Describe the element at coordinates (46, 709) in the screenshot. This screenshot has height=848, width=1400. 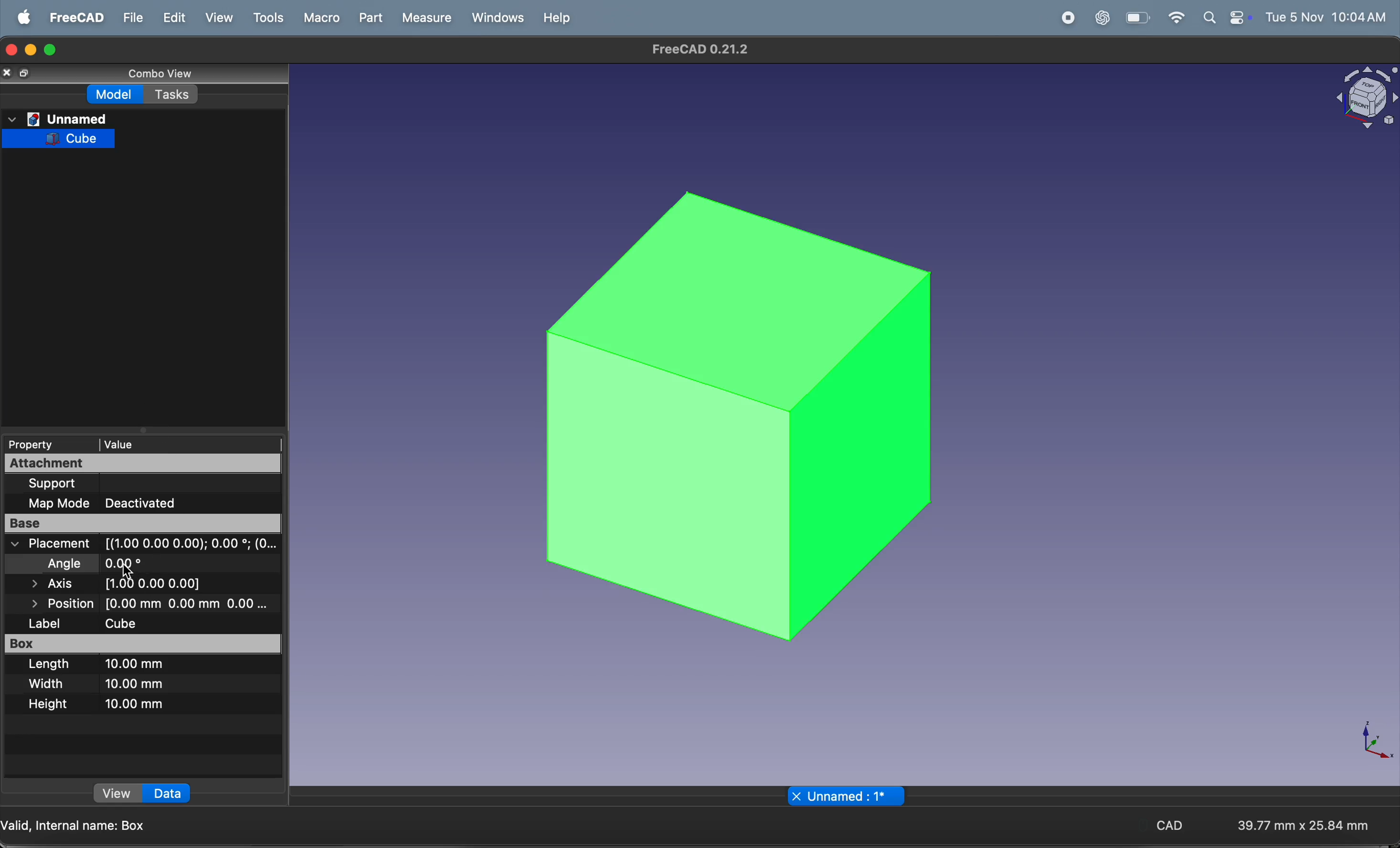
I see `height` at that location.